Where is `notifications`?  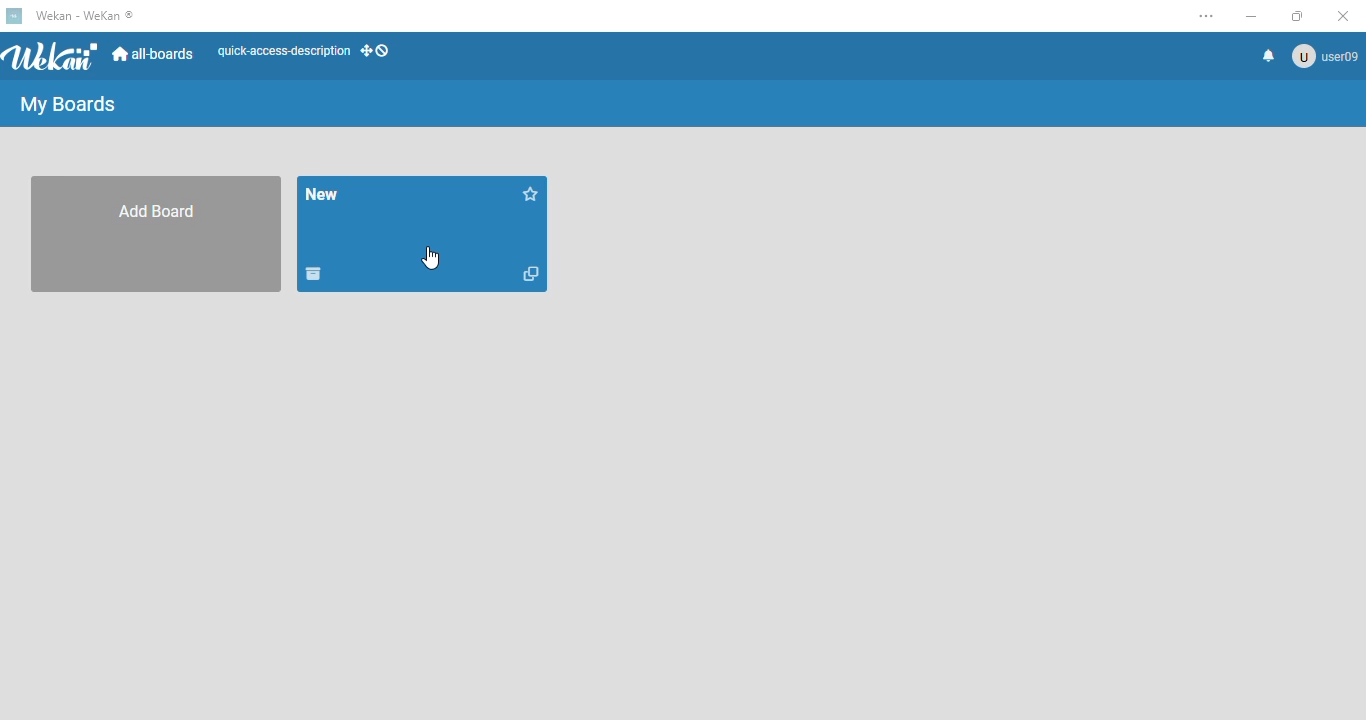
notifications is located at coordinates (1270, 55).